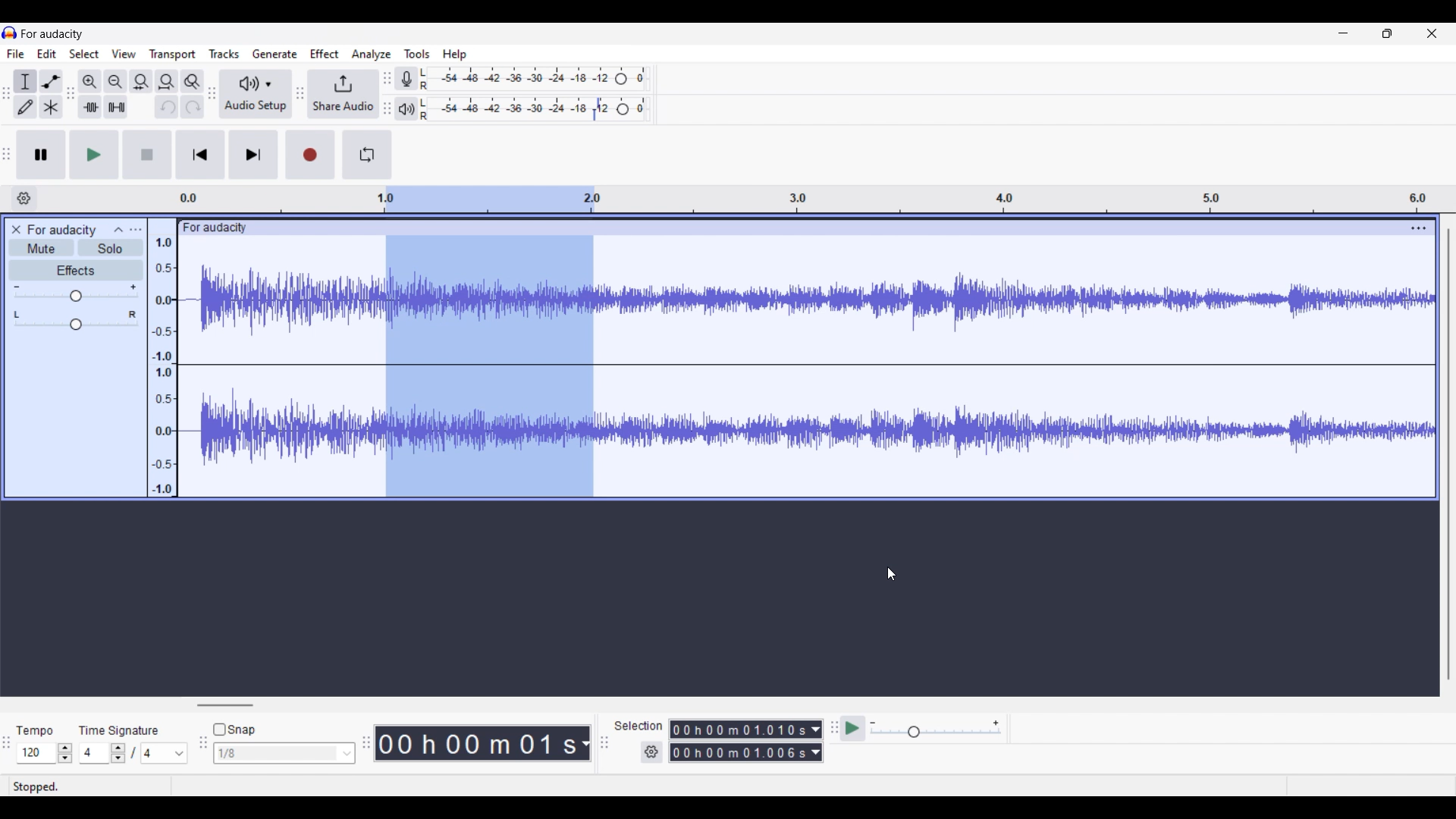 The height and width of the screenshot is (819, 1456). Describe the element at coordinates (142, 82) in the screenshot. I see `Fit selection to width` at that location.